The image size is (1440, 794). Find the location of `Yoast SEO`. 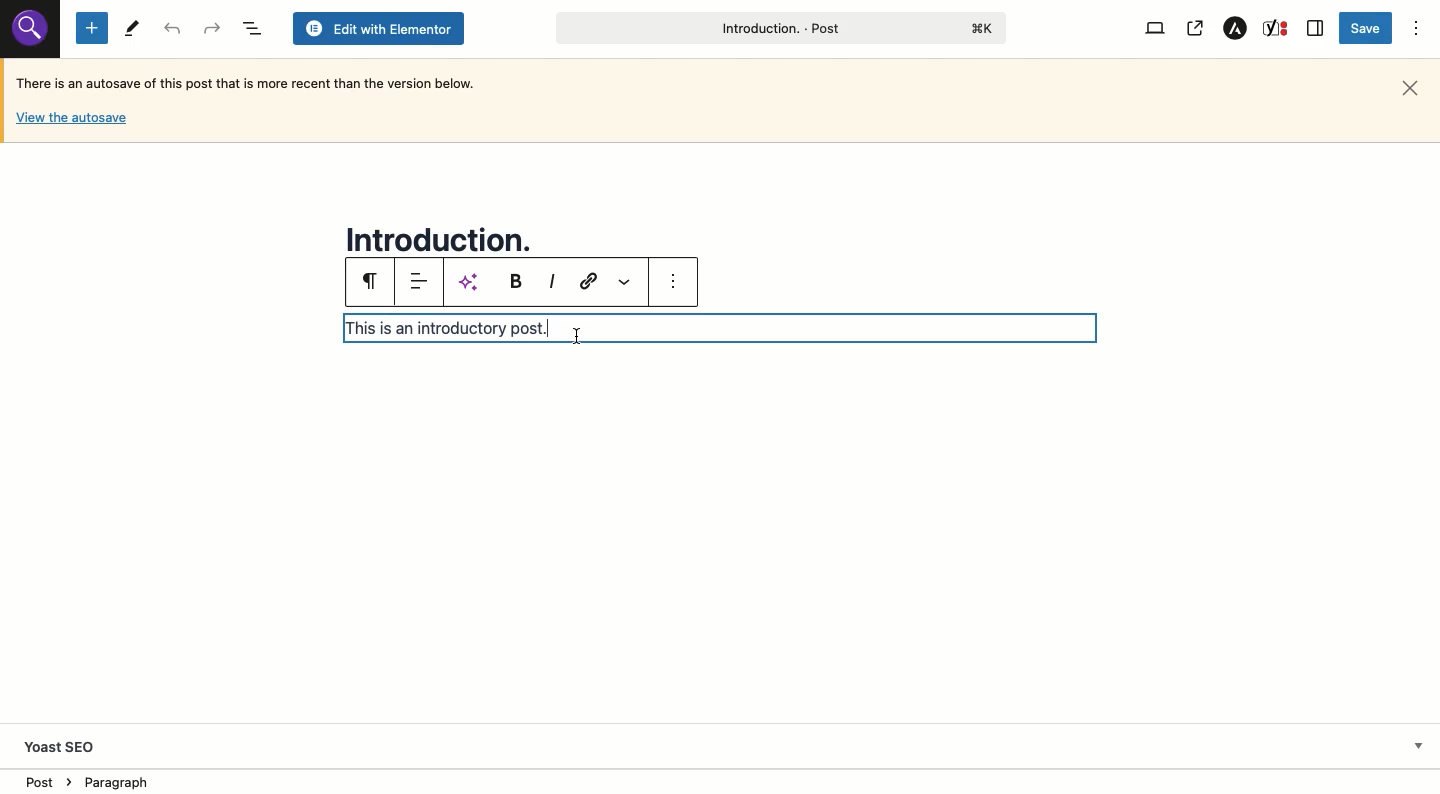

Yoast SEO is located at coordinates (727, 749).